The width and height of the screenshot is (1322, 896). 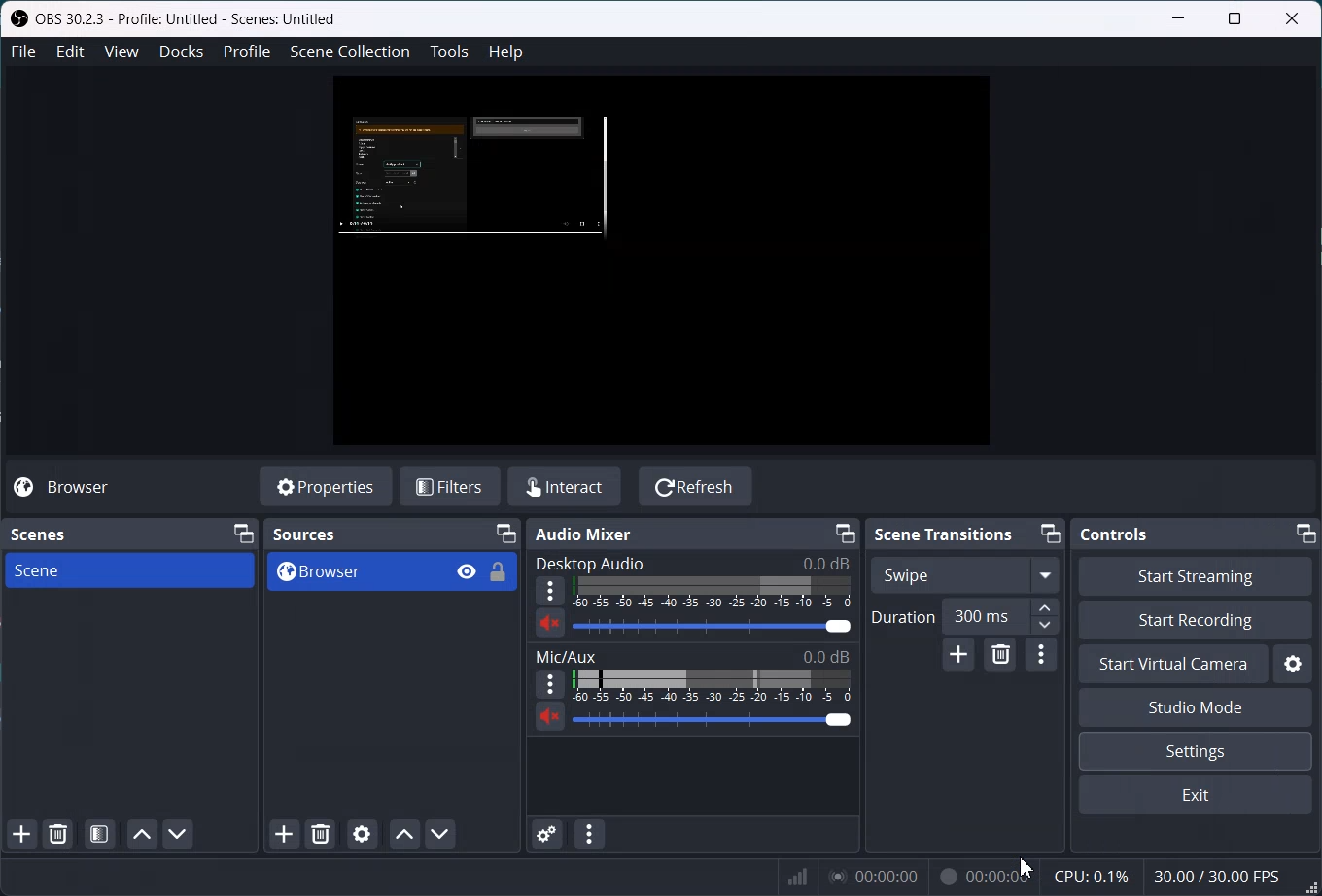 What do you see at coordinates (404, 834) in the screenshot?
I see `Move source up` at bounding box center [404, 834].